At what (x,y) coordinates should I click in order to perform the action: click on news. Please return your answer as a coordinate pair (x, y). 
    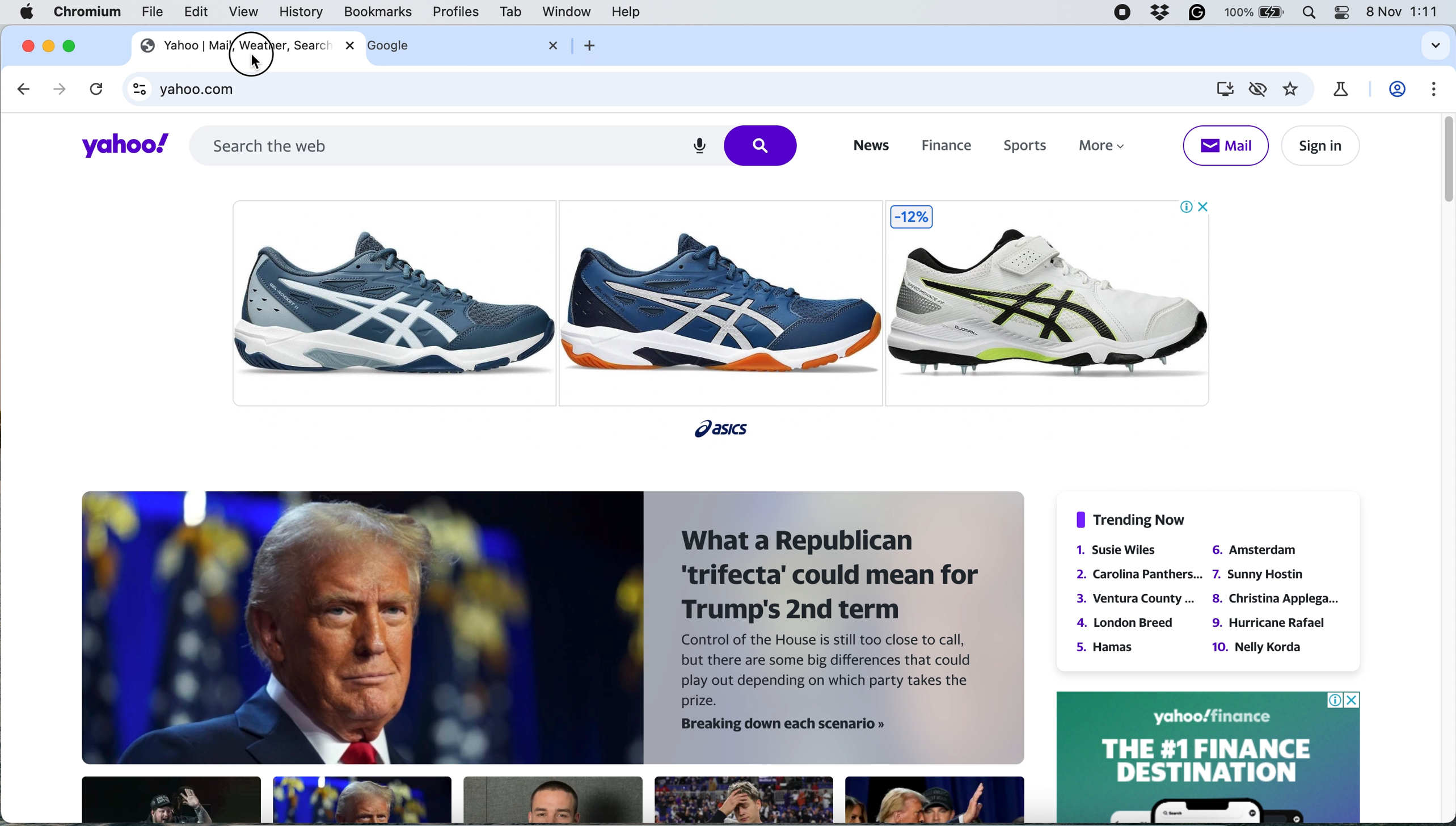
    Looking at the image, I should click on (869, 146).